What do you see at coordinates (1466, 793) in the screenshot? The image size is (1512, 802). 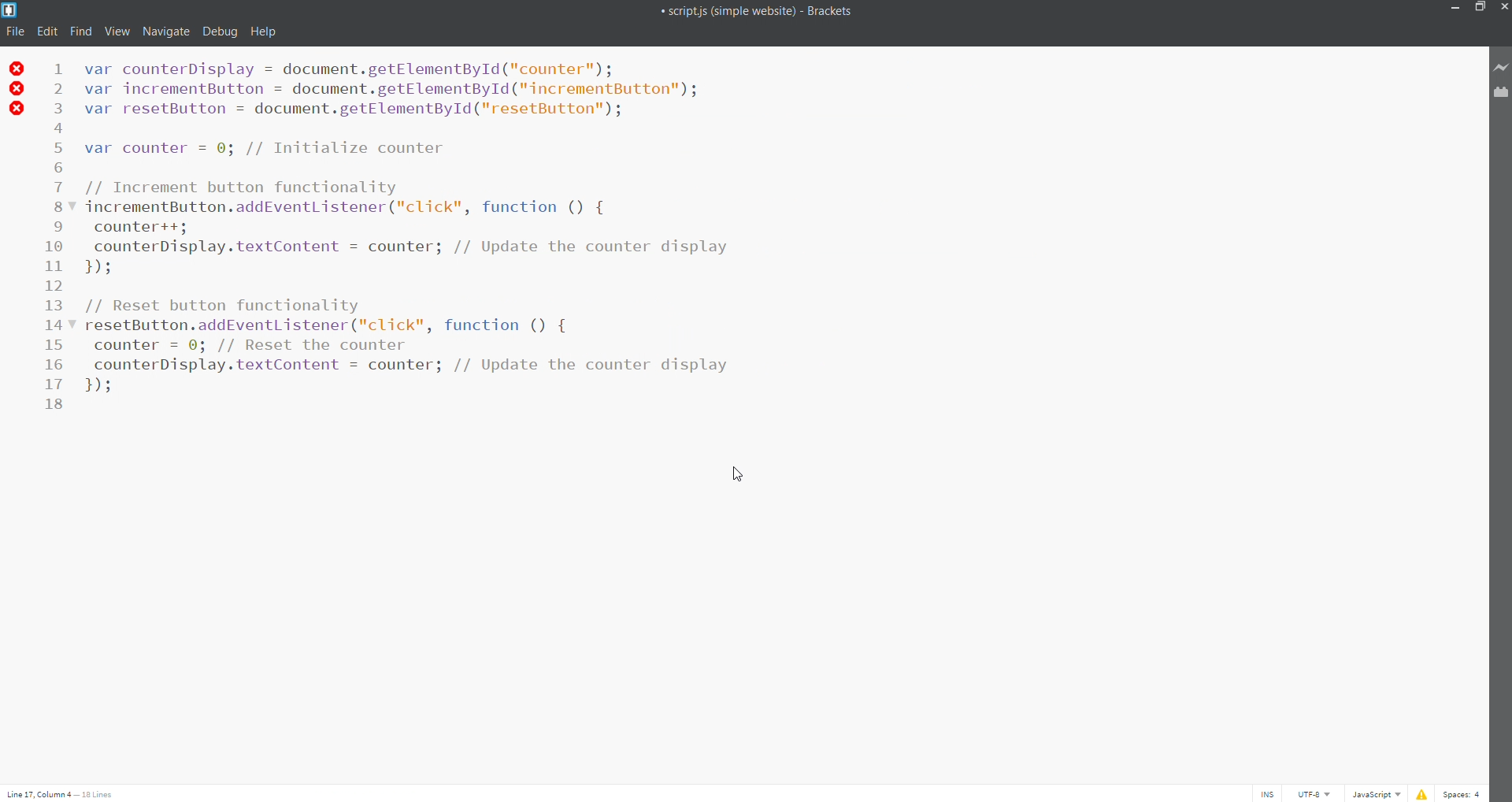 I see `space count` at bounding box center [1466, 793].